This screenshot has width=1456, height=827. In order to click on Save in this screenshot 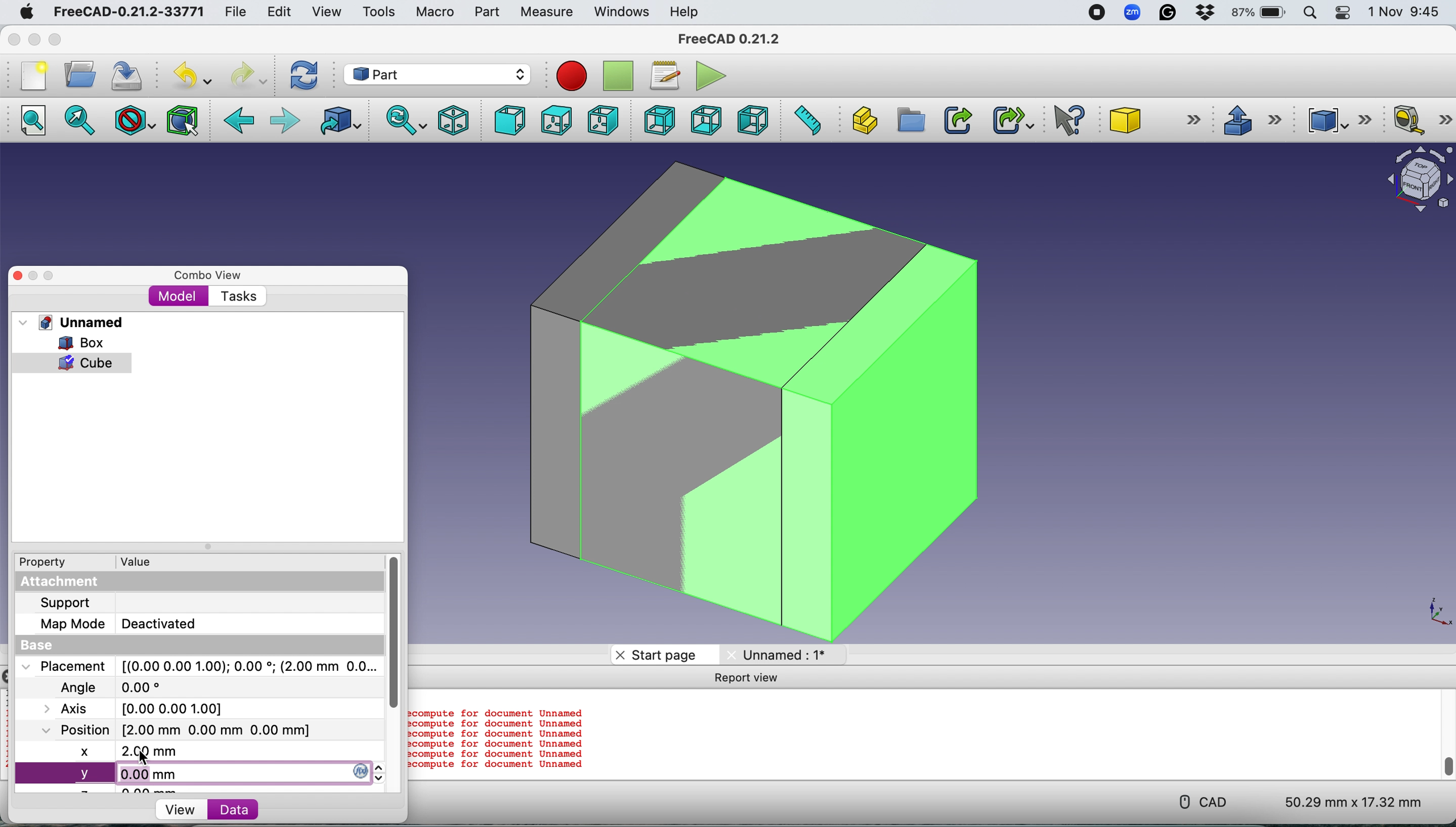, I will do `click(130, 73)`.